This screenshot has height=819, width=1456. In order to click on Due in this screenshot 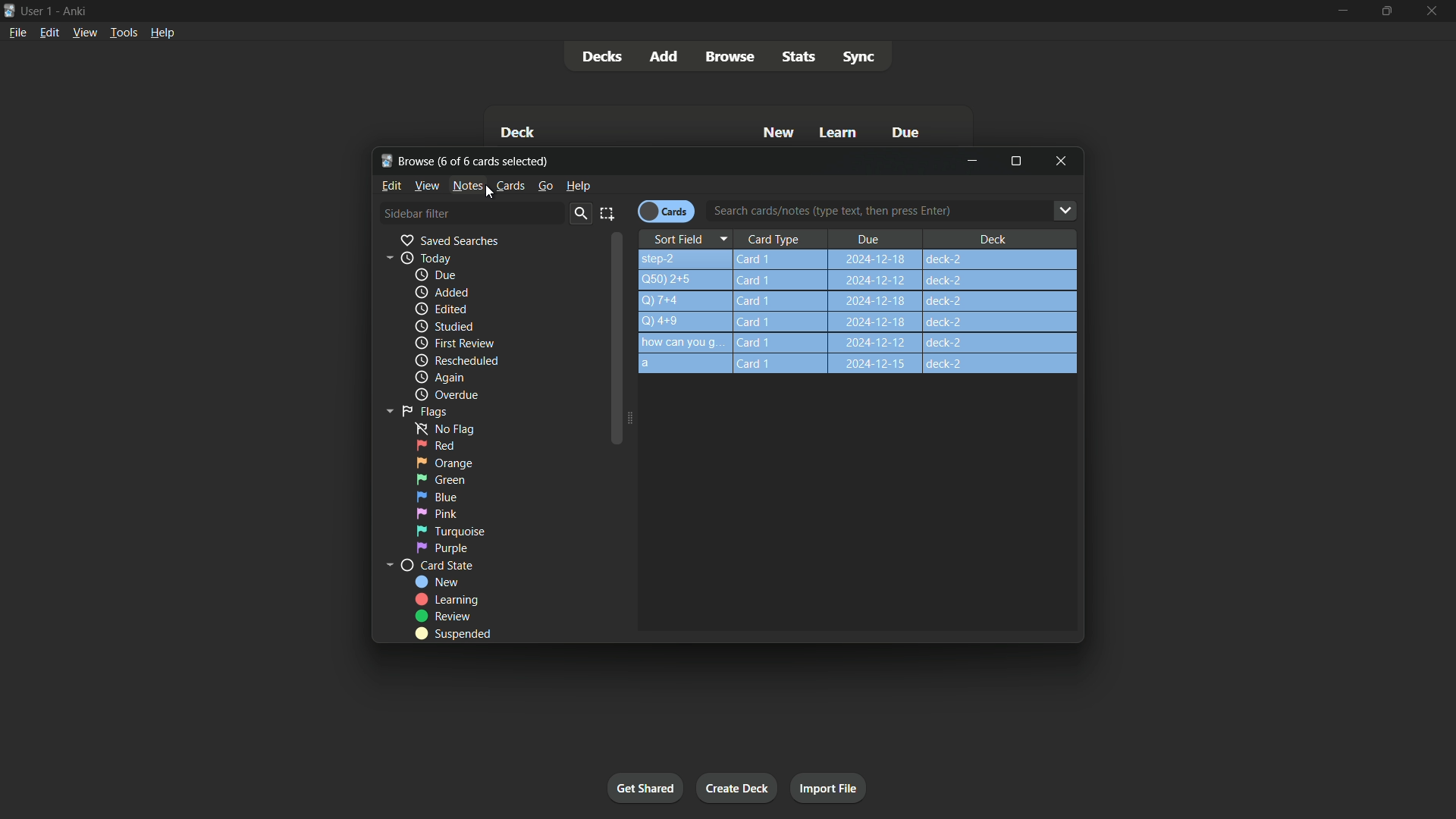, I will do `click(903, 132)`.